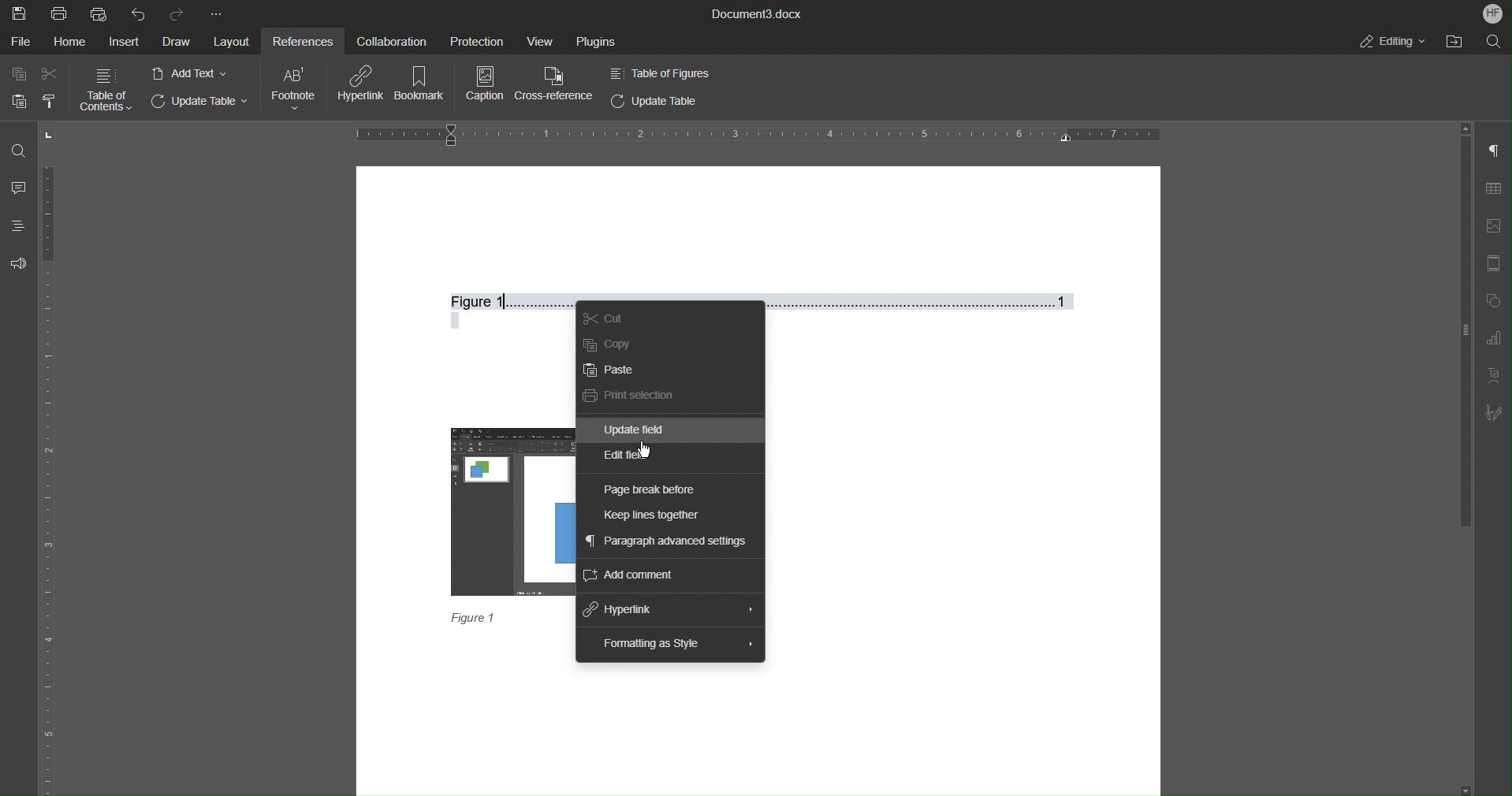 The width and height of the screenshot is (1512, 796). What do you see at coordinates (231, 42) in the screenshot?
I see `Layout` at bounding box center [231, 42].